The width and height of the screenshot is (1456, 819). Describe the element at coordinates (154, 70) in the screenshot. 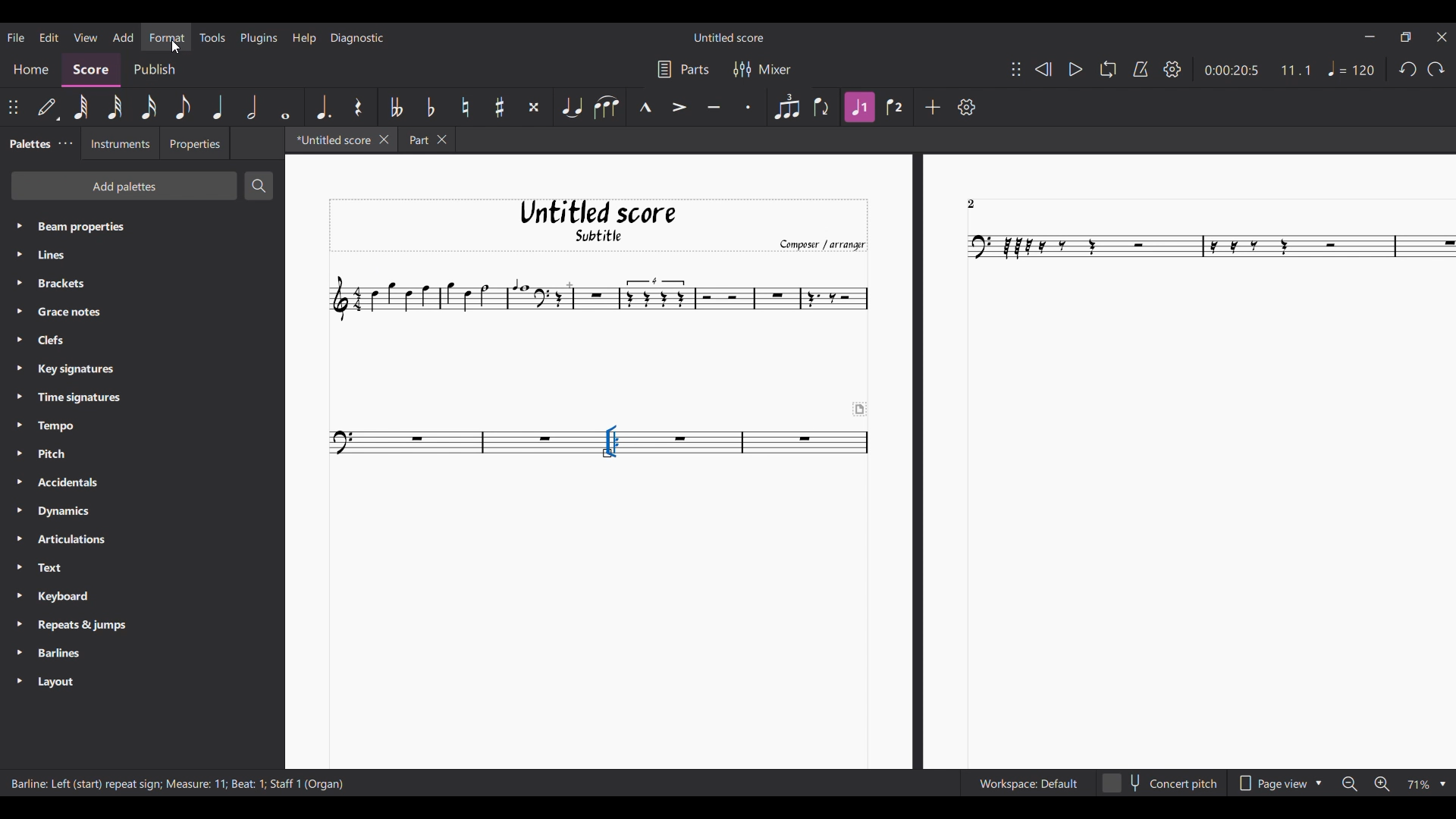

I see `Publish` at that location.